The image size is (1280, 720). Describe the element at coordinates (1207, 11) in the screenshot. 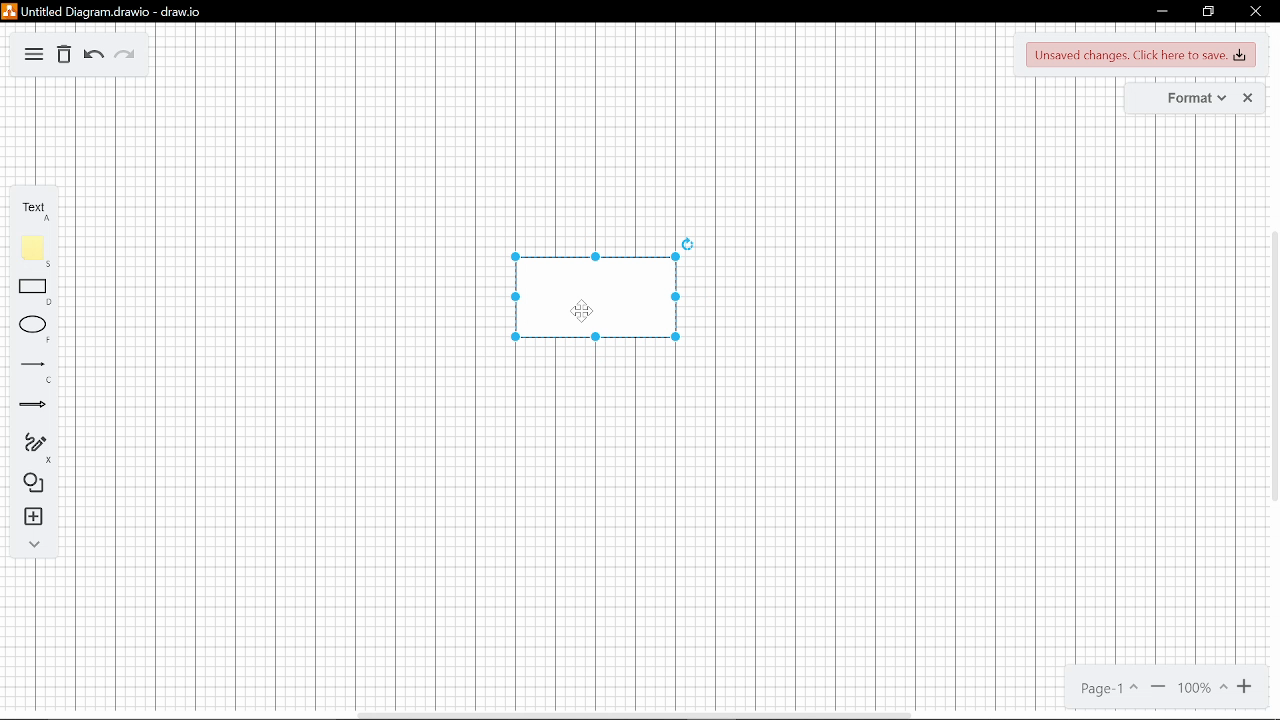

I see `maximize` at that location.